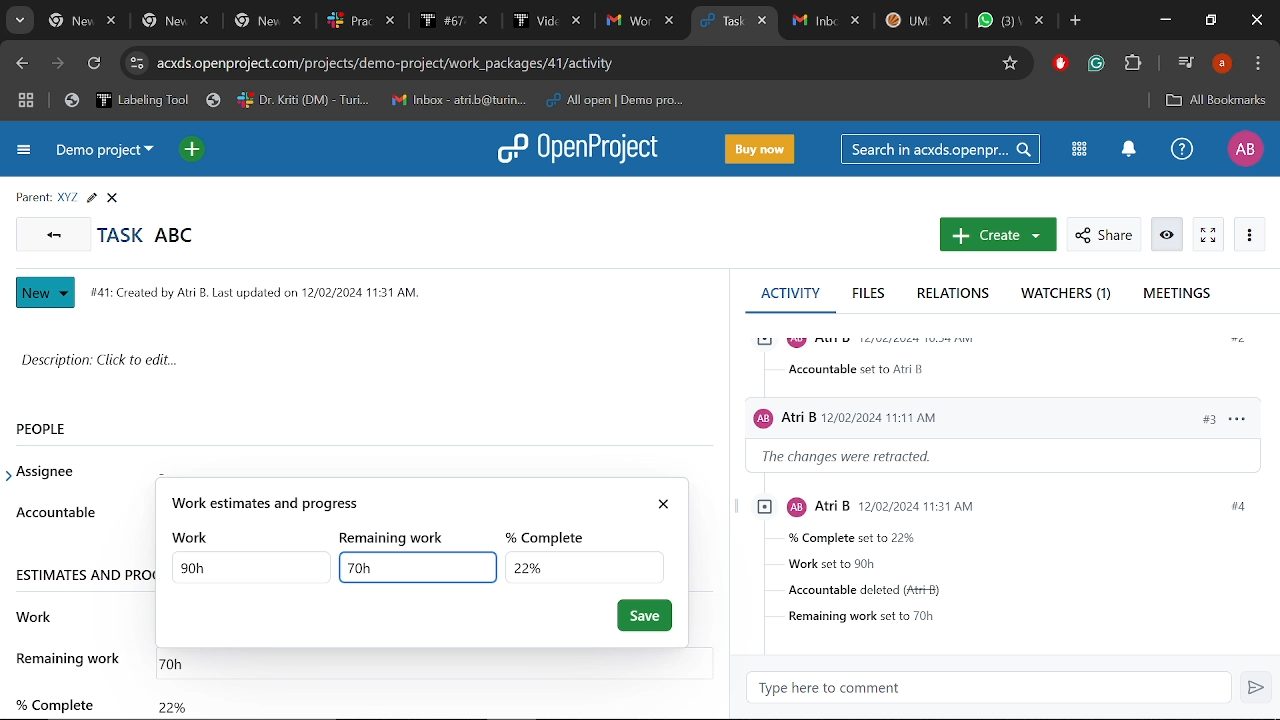 This screenshot has height=720, width=1280. I want to click on Info, so click(1168, 235).